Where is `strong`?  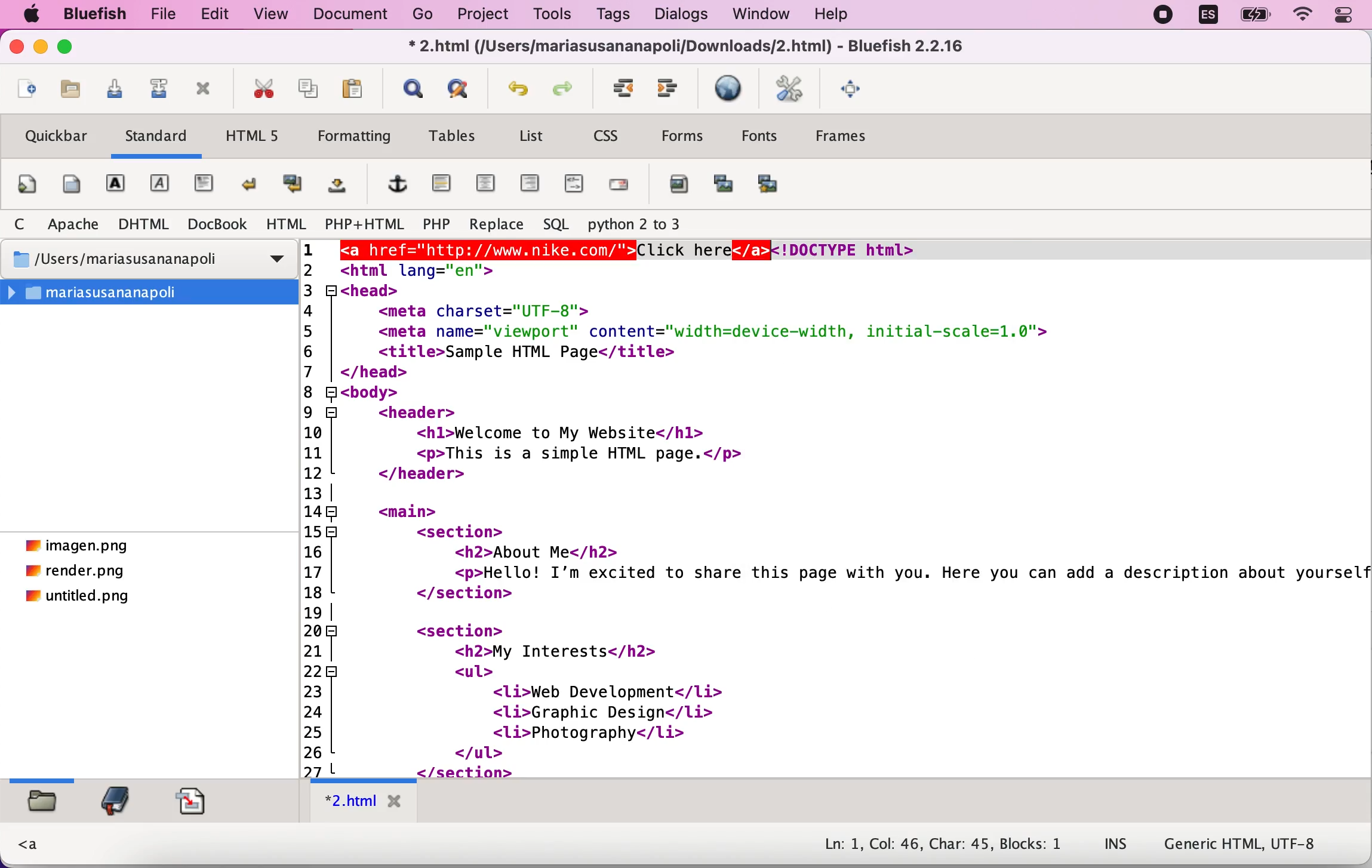 strong is located at coordinates (116, 186).